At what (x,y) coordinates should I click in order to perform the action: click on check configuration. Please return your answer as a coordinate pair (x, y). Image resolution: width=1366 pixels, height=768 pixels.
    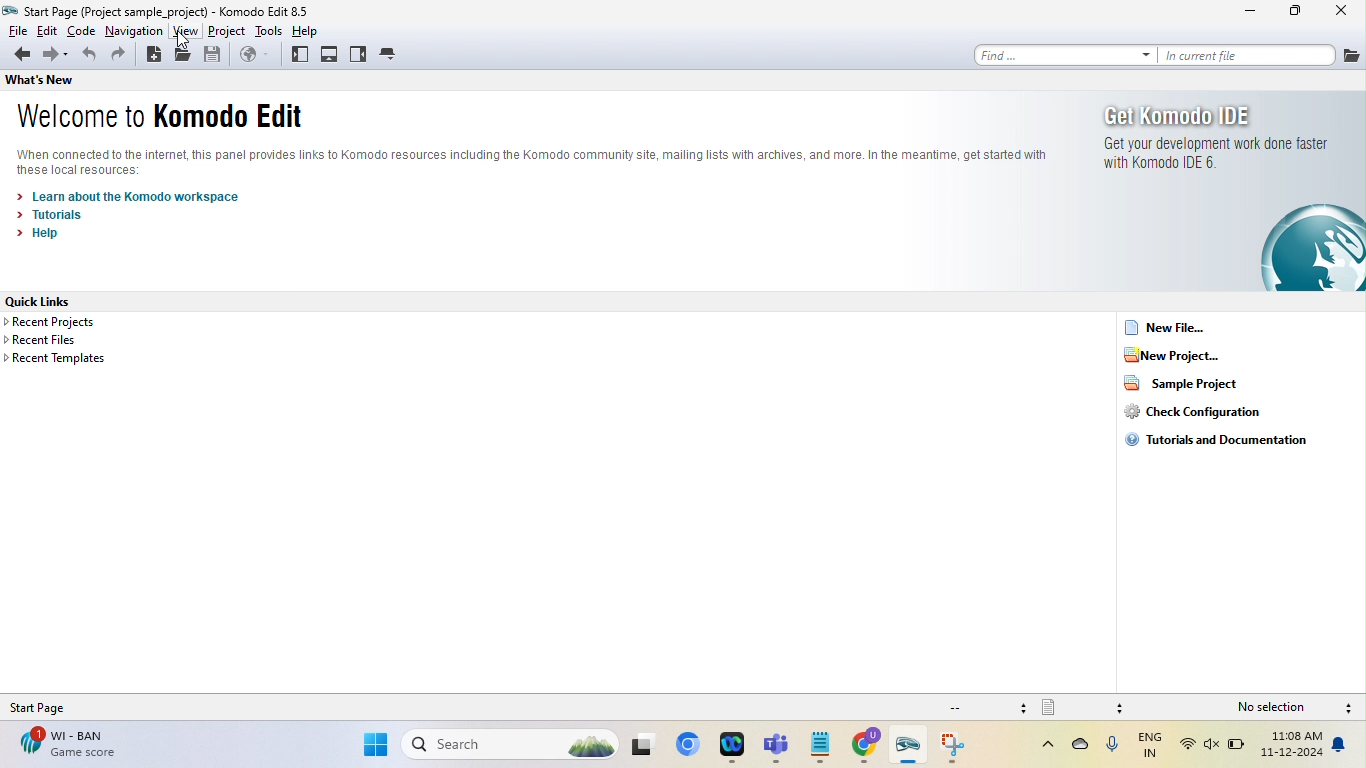
    Looking at the image, I should click on (1216, 411).